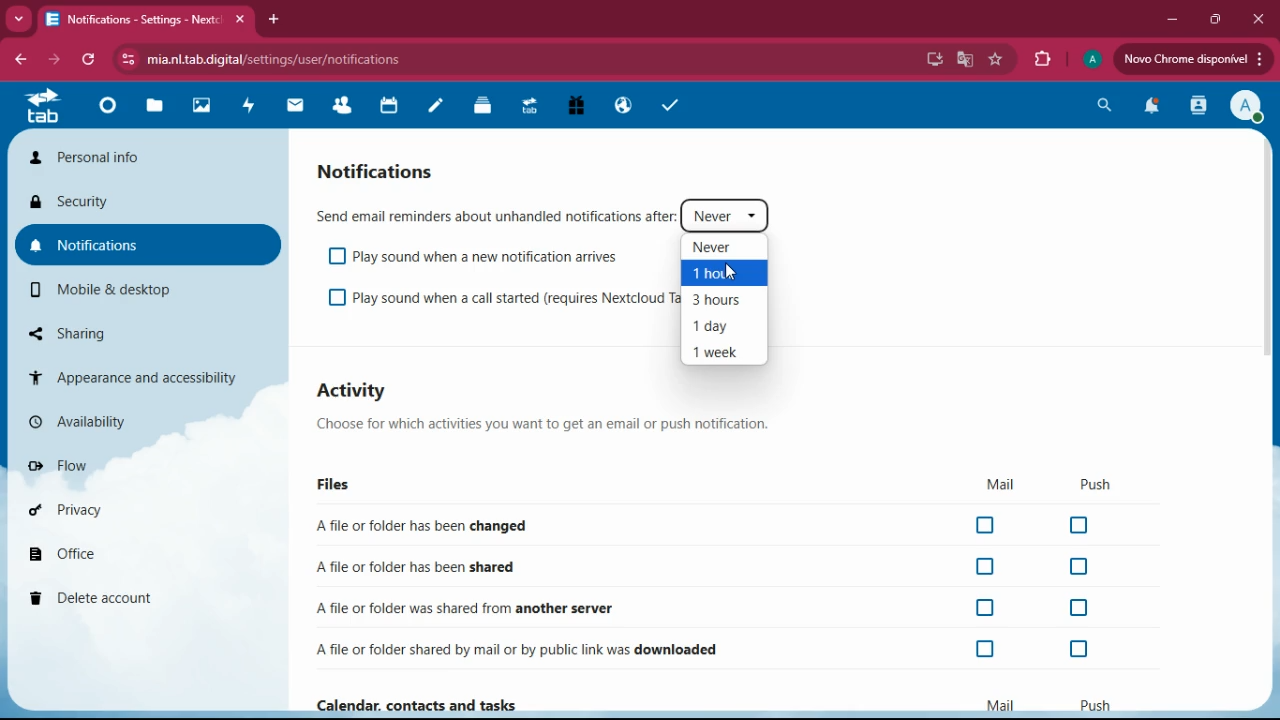 This screenshot has width=1280, height=720. What do you see at coordinates (727, 274) in the screenshot?
I see `1 hour` at bounding box center [727, 274].